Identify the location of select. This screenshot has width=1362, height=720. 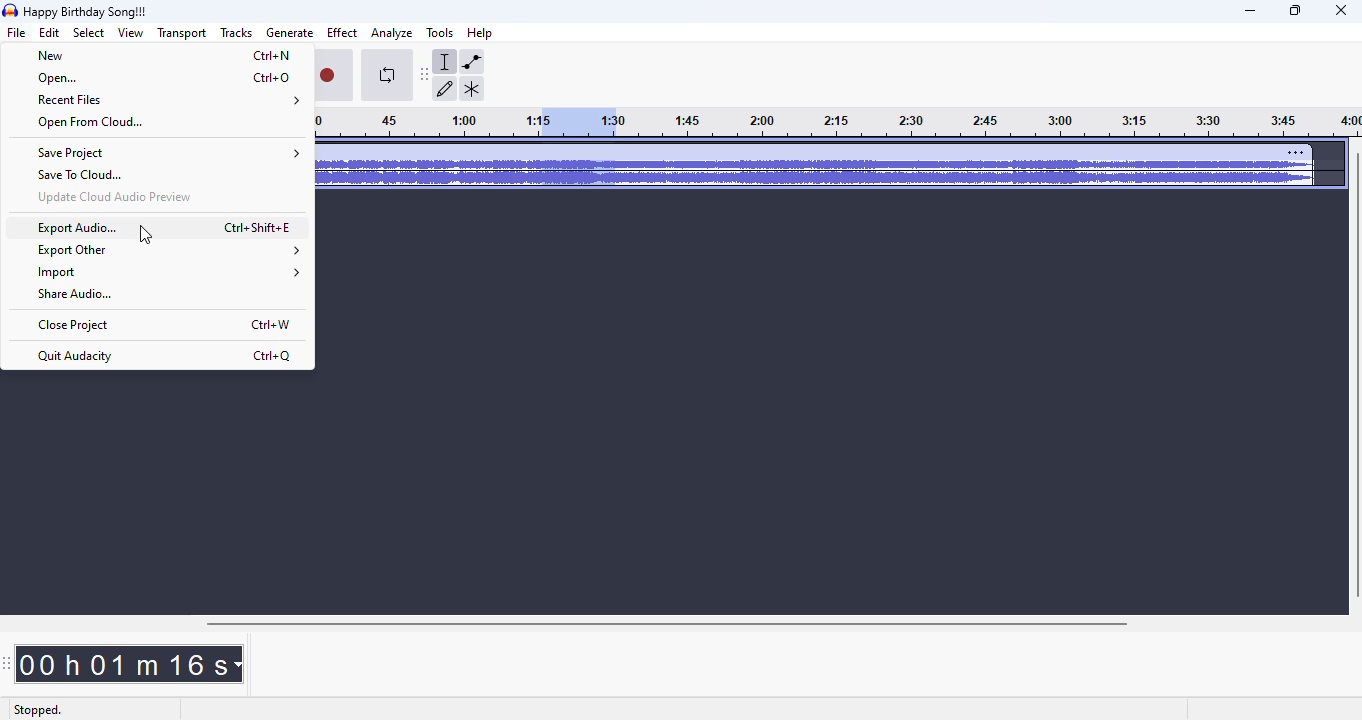
(89, 33).